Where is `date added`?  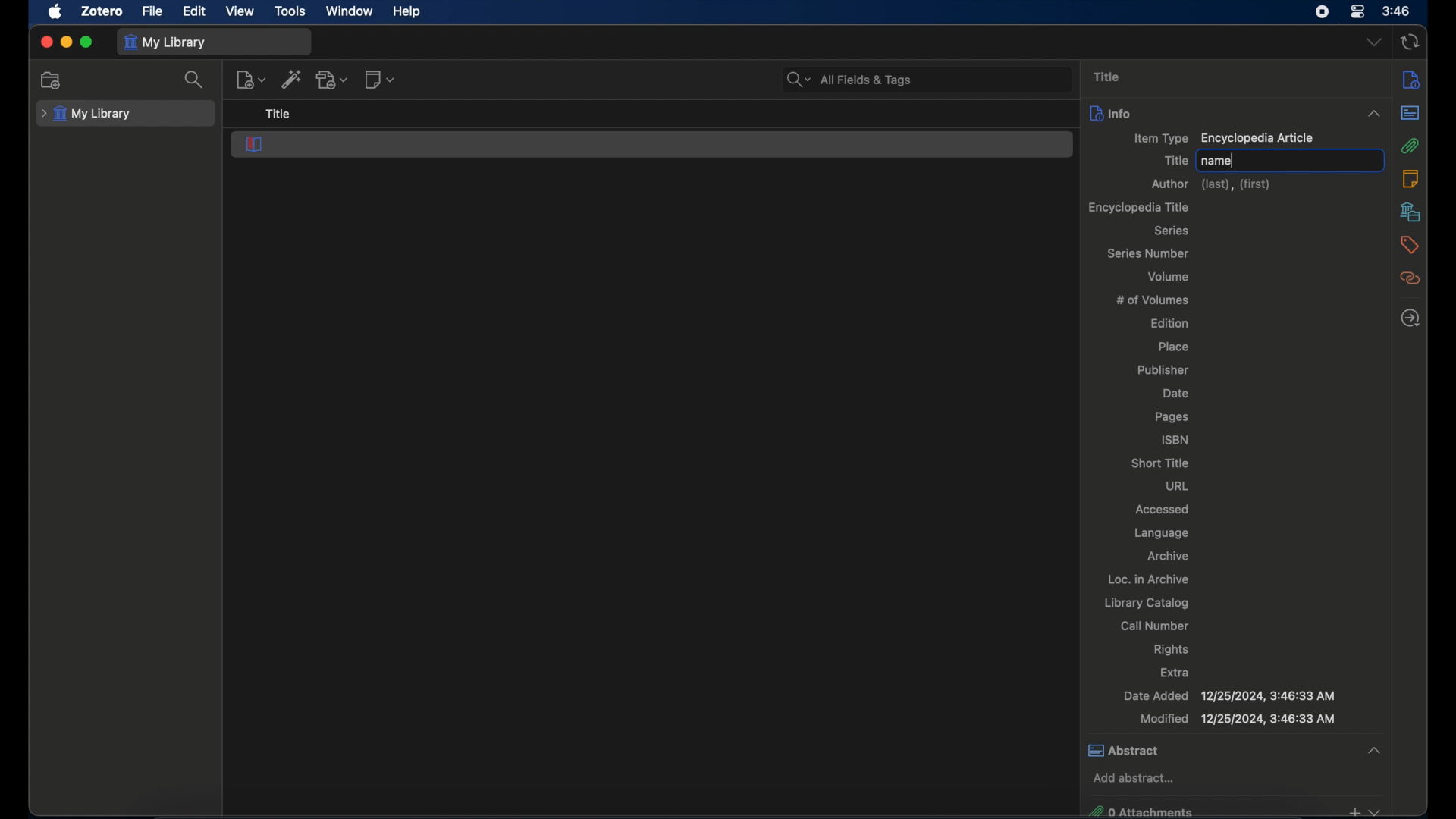 date added is located at coordinates (1228, 695).